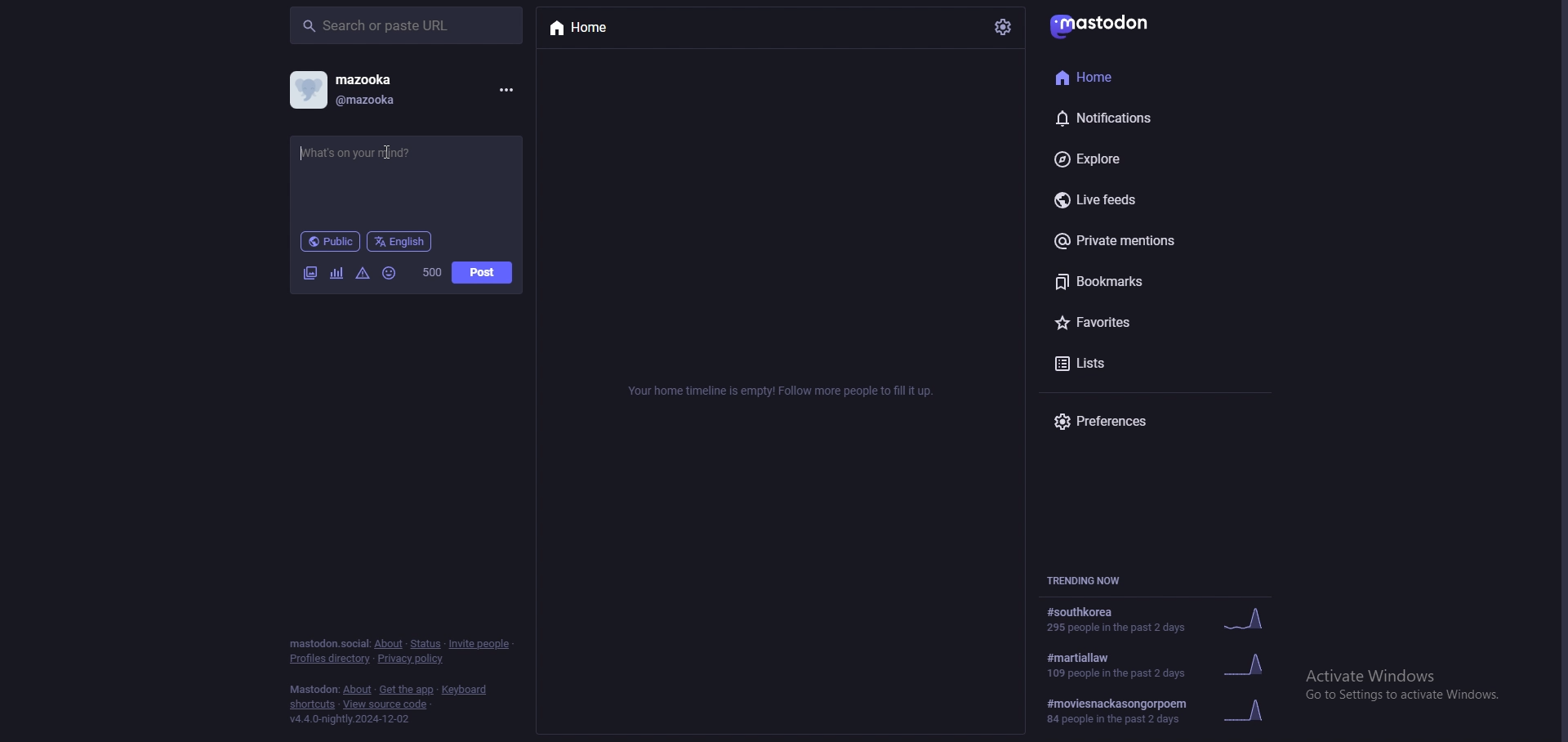  What do you see at coordinates (1107, 24) in the screenshot?
I see `mastodon` at bounding box center [1107, 24].